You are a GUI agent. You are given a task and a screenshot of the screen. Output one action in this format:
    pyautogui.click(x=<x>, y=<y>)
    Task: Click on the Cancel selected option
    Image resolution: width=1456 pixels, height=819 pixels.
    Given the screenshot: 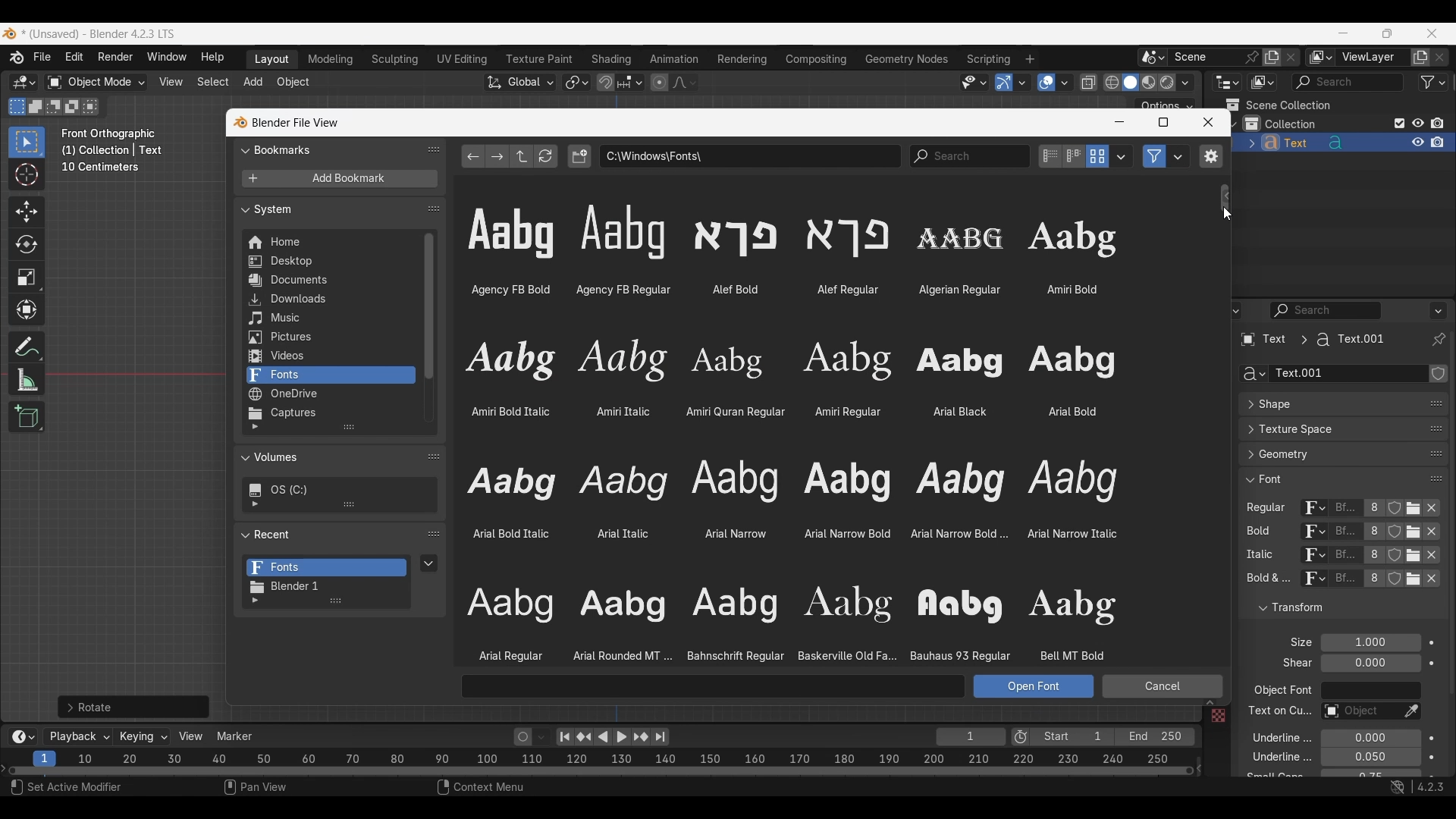 What is the action you would take?
    pyautogui.click(x=1162, y=685)
    